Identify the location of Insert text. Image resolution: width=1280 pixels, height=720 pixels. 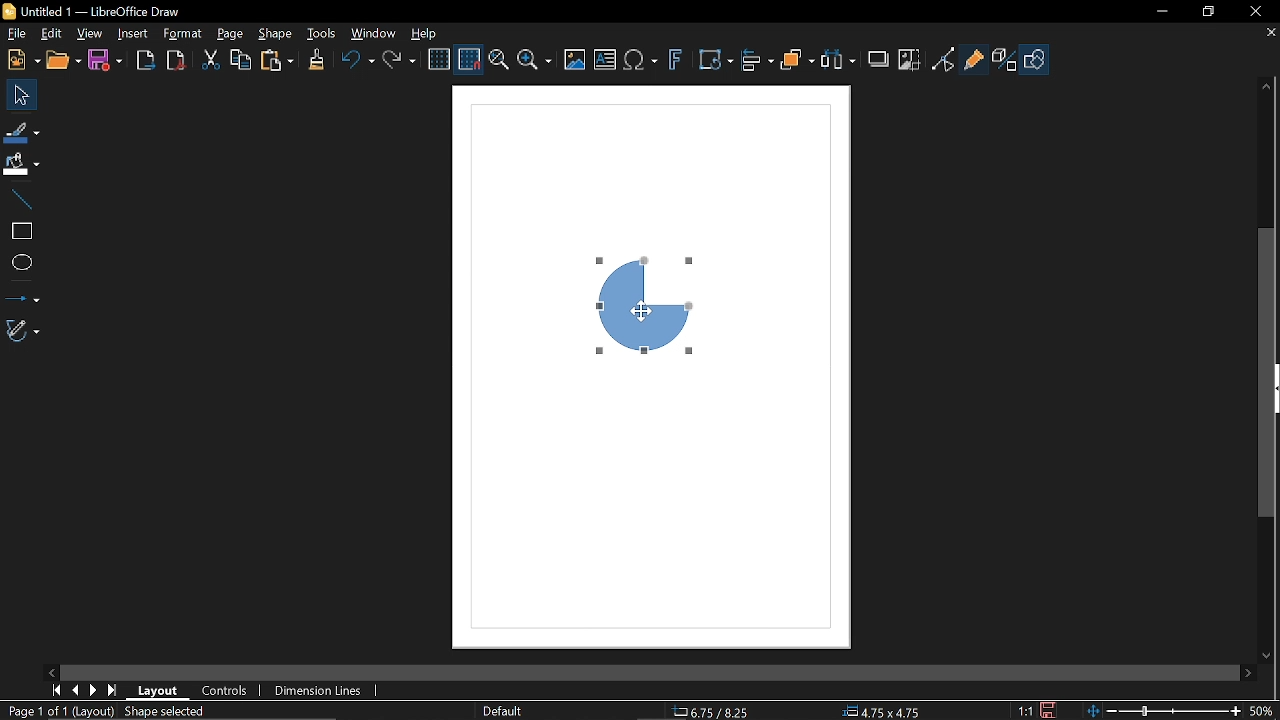
(605, 61).